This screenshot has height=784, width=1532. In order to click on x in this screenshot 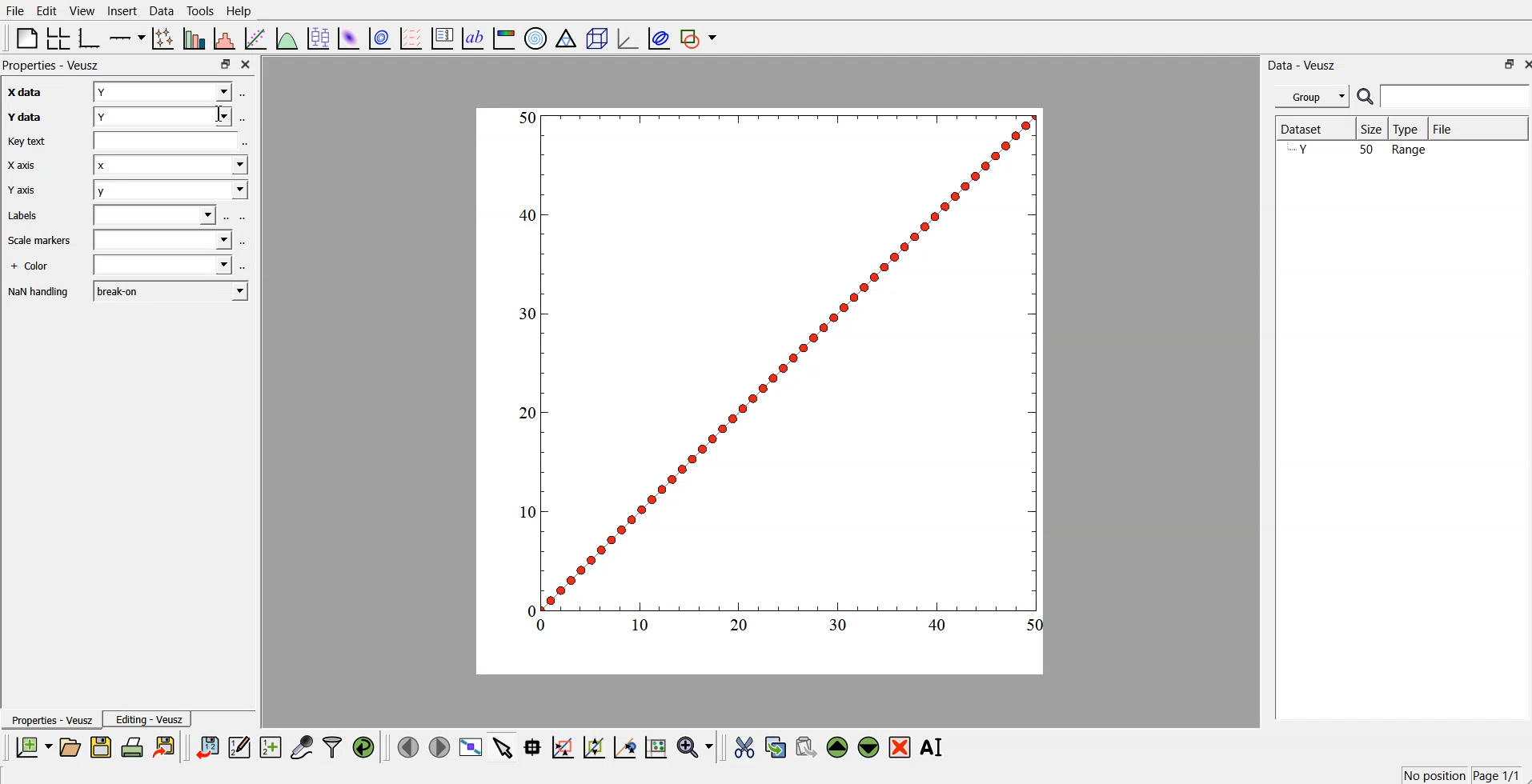, I will do `click(171, 167)`.